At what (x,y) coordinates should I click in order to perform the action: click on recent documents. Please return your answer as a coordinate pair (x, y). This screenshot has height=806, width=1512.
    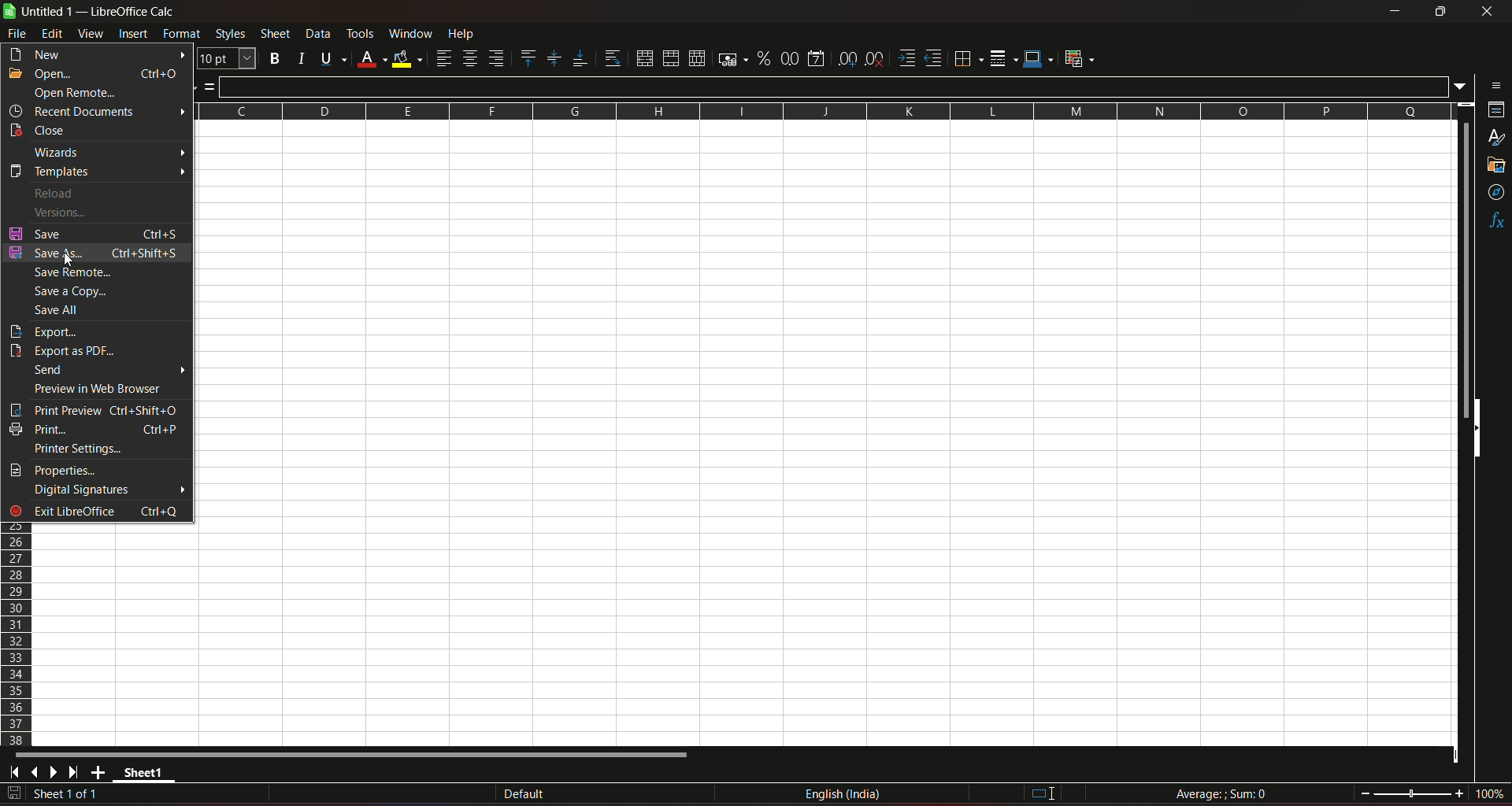
    Looking at the image, I should click on (97, 111).